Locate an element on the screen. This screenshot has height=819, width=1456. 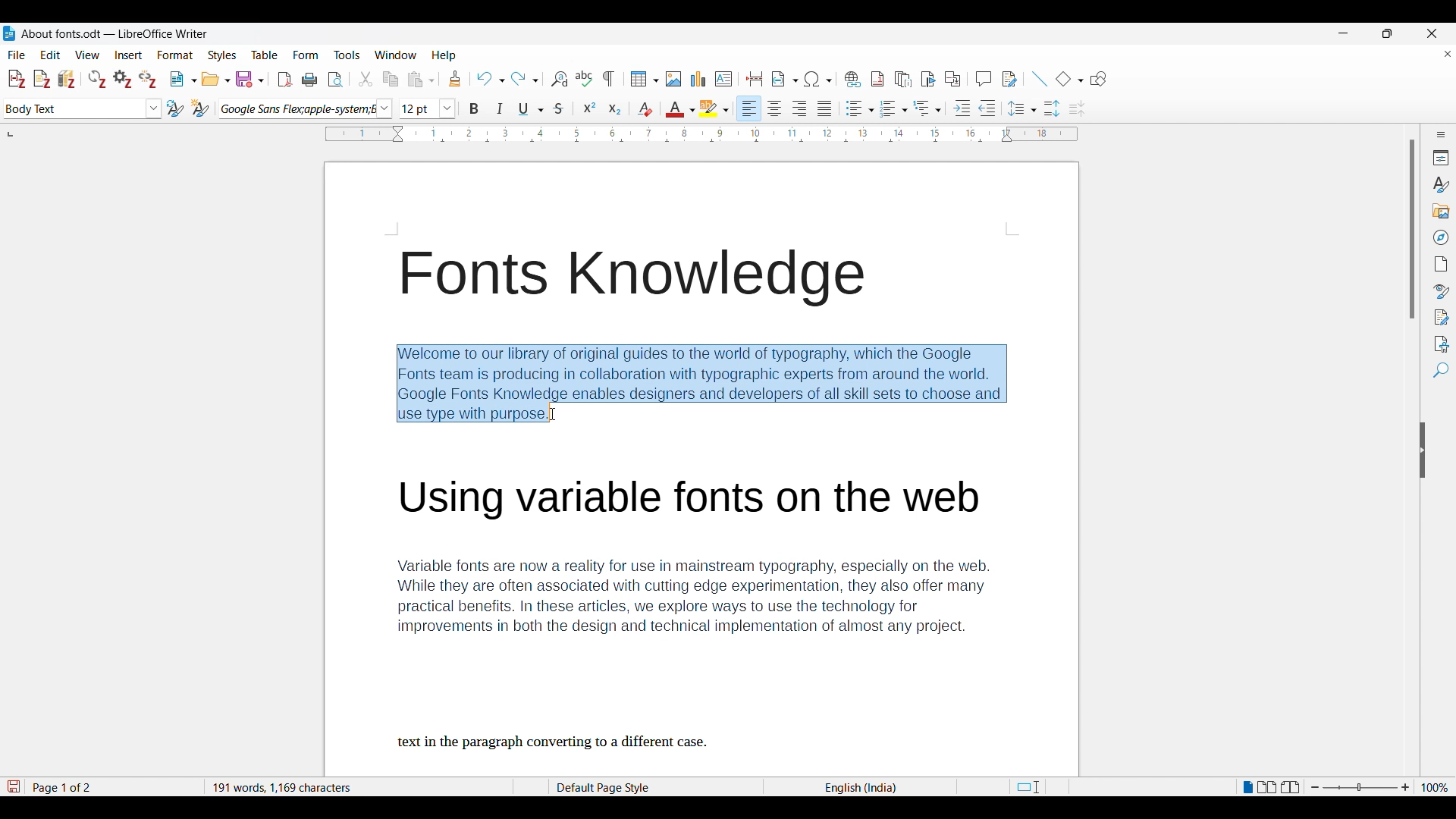
Save options is located at coordinates (249, 80).